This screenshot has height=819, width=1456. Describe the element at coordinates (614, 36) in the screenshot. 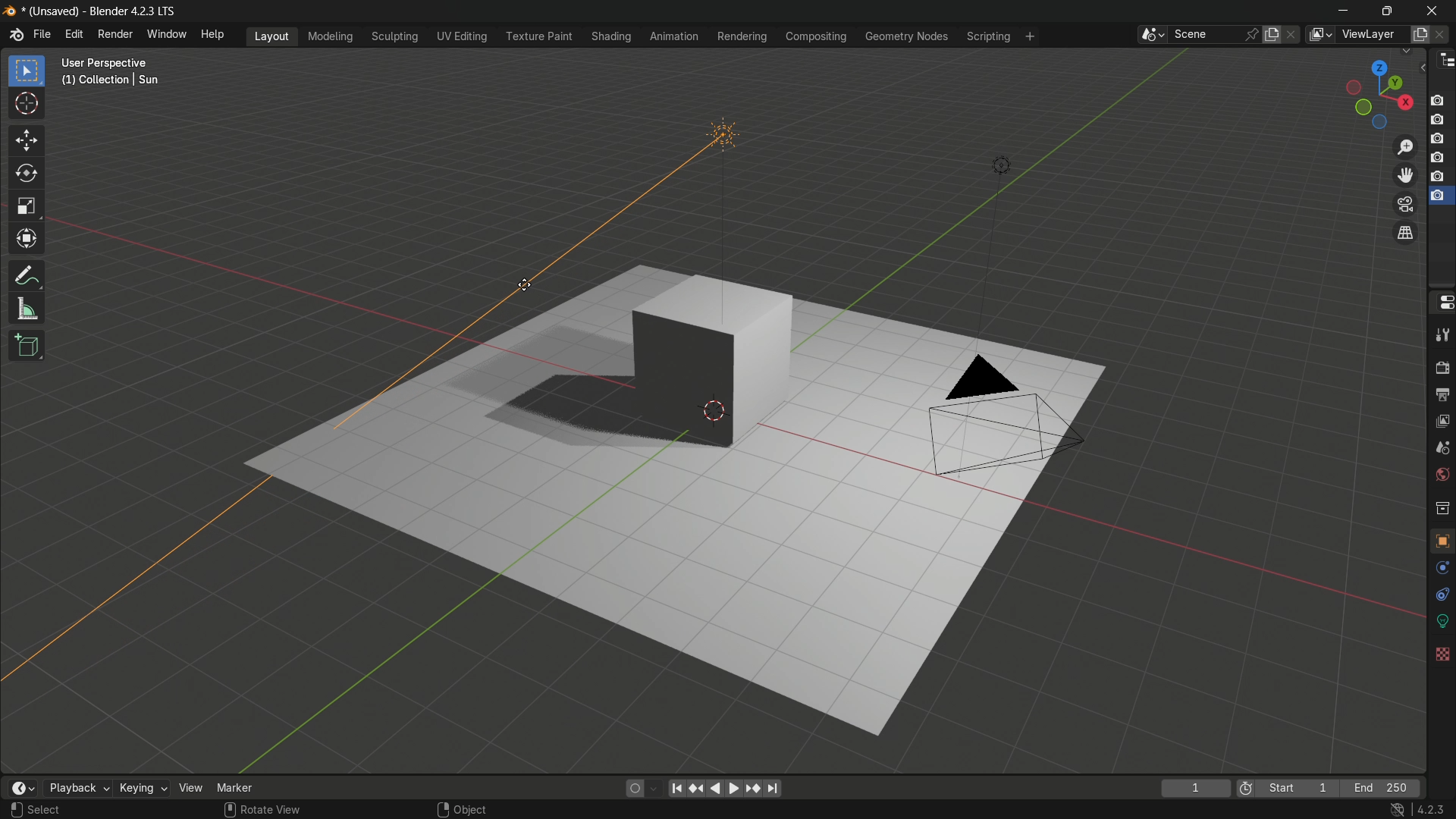

I see `shading` at that location.